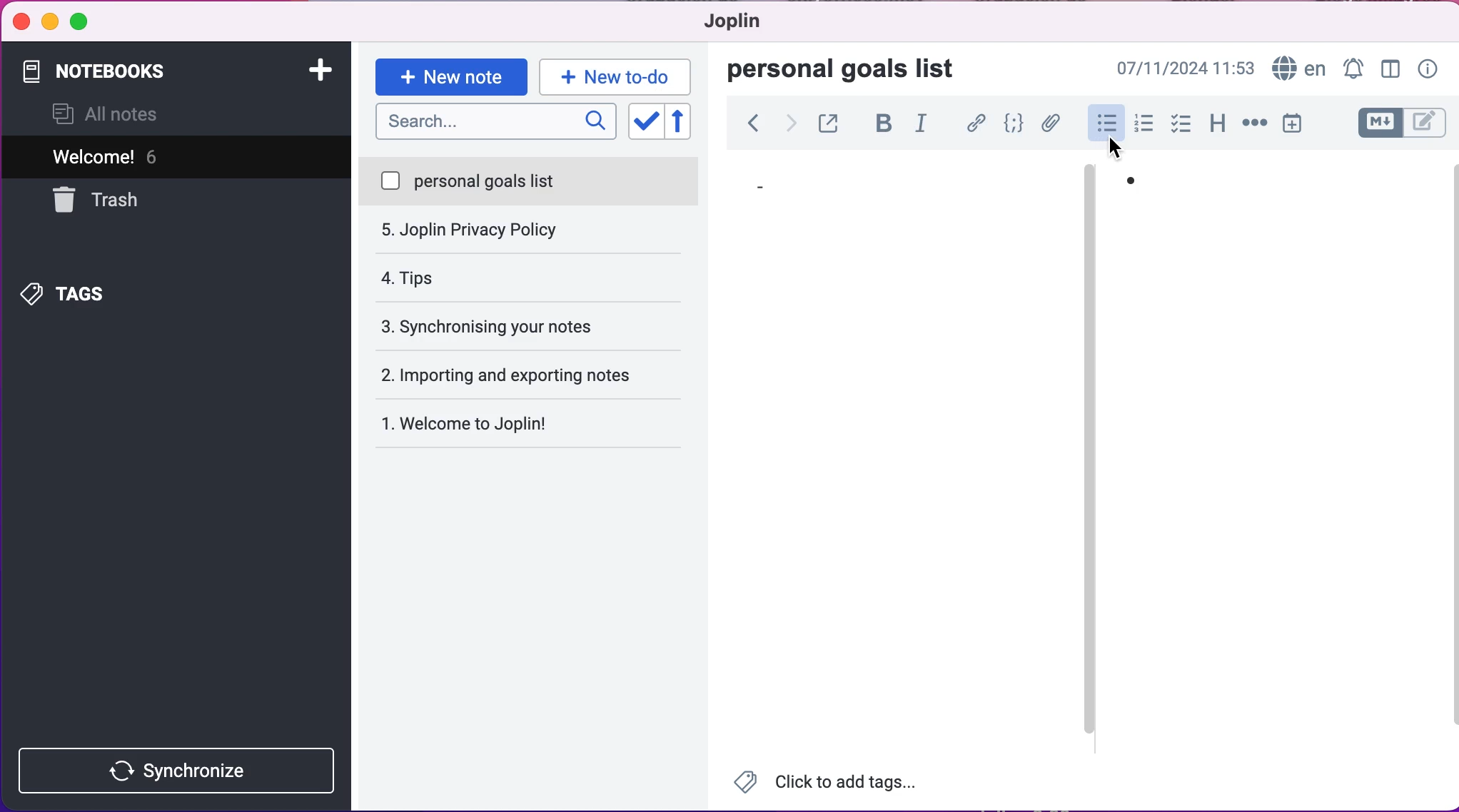 Image resolution: width=1459 pixels, height=812 pixels. I want to click on synchronize, so click(181, 770).